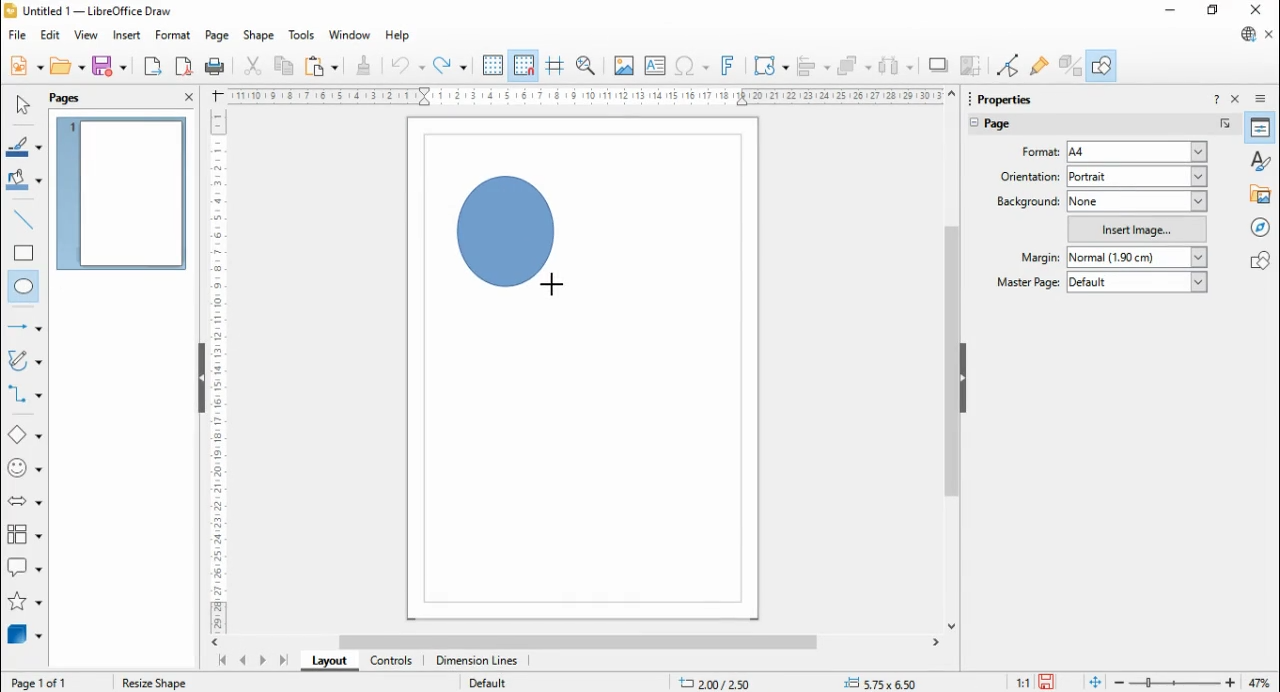 Image resolution: width=1280 pixels, height=692 pixels. What do you see at coordinates (218, 36) in the screenshot?
I see `page` at bounding box center [218, 36].